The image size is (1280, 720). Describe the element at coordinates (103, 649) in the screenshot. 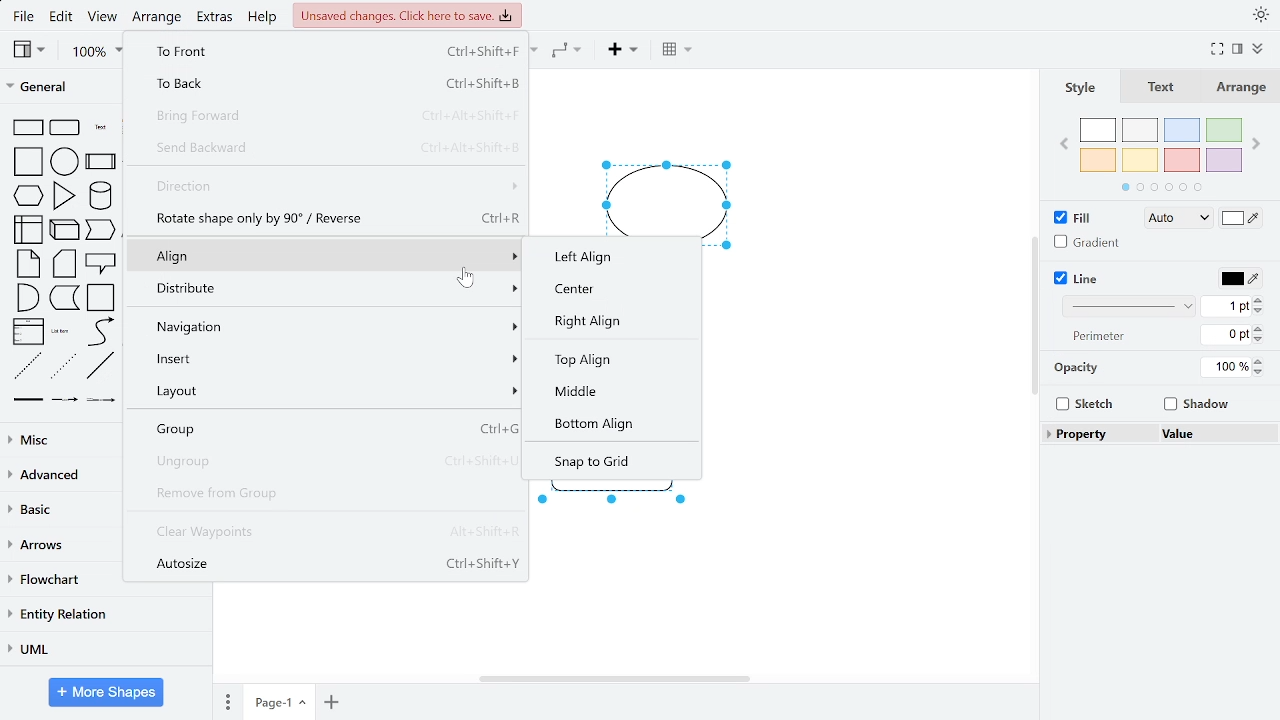

I see `UML` at that location.